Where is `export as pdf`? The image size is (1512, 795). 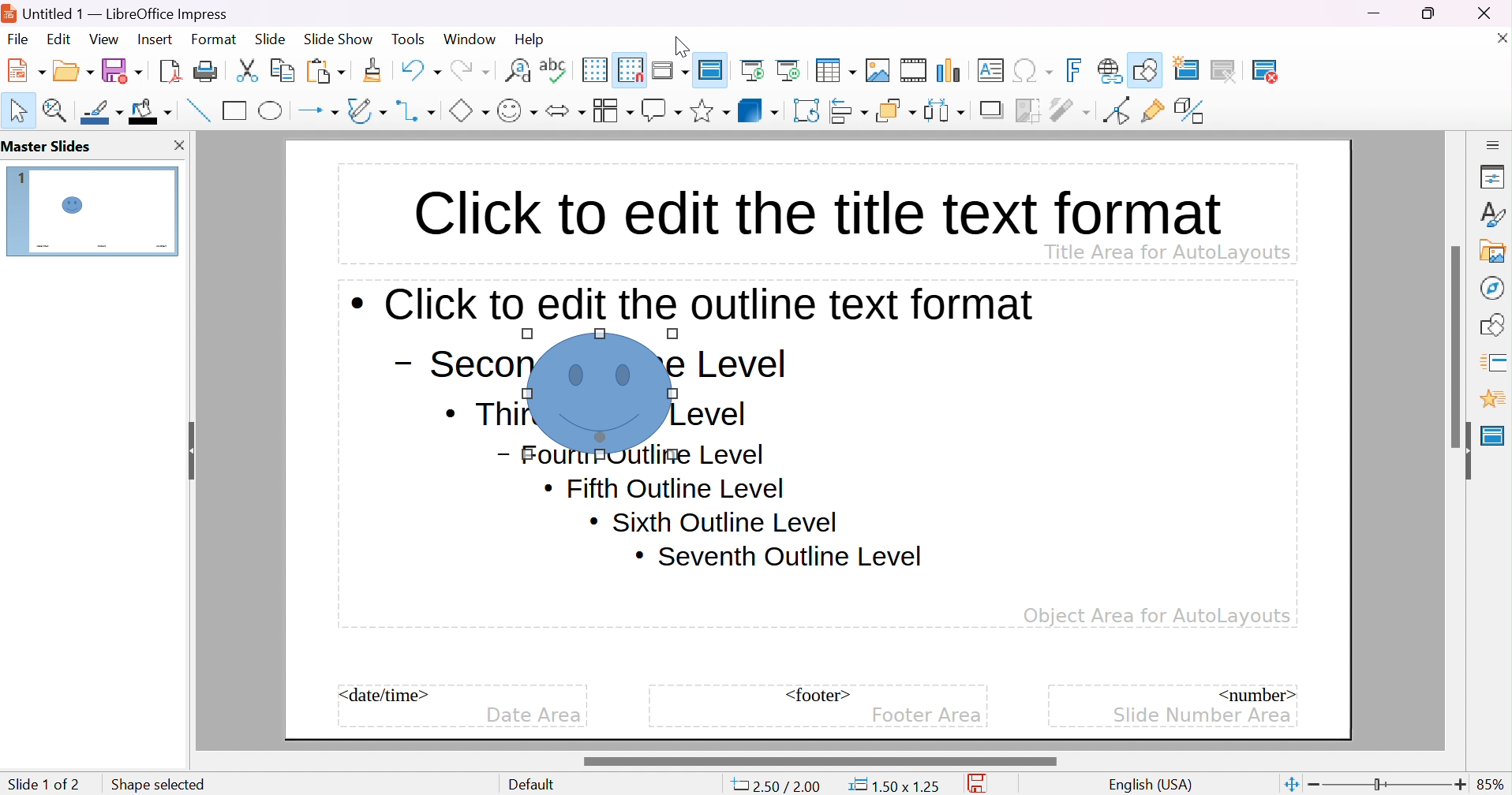 export as pdf is located at coordinates (168, 70).